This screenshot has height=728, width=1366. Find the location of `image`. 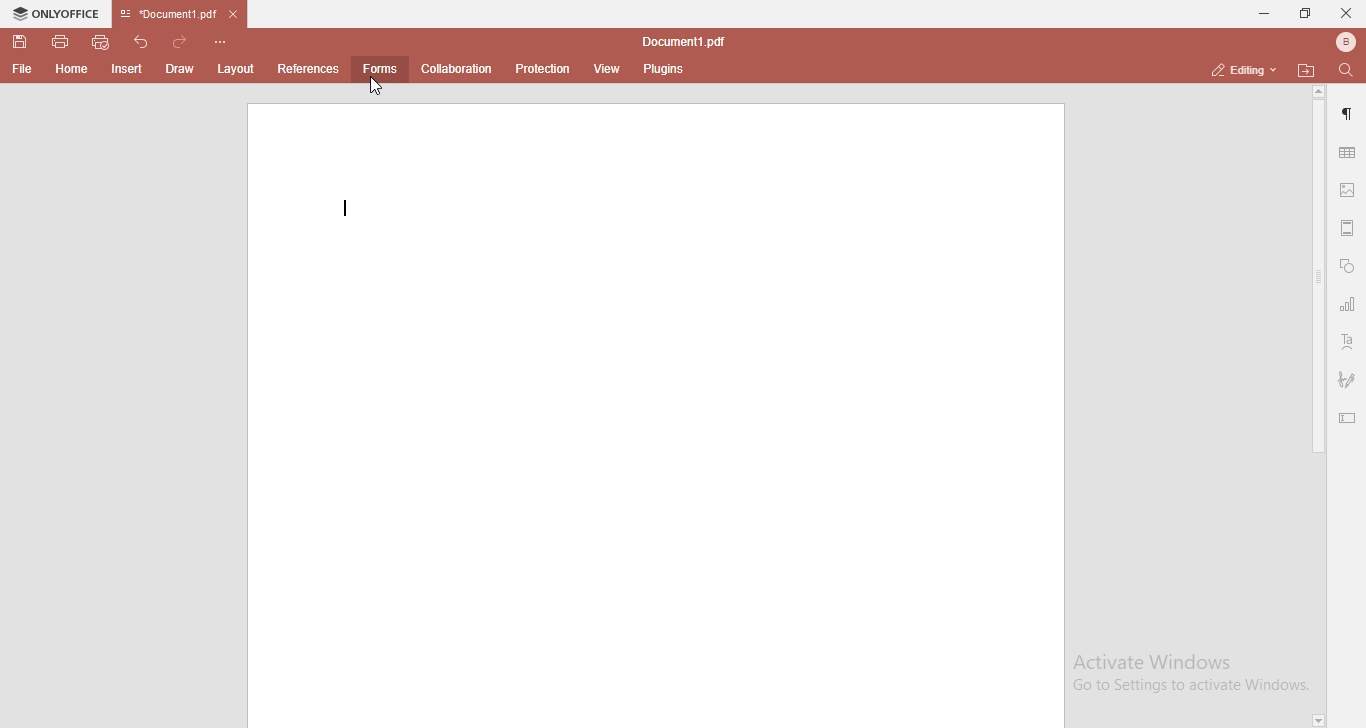

image is located at coordinates (1349, 192).